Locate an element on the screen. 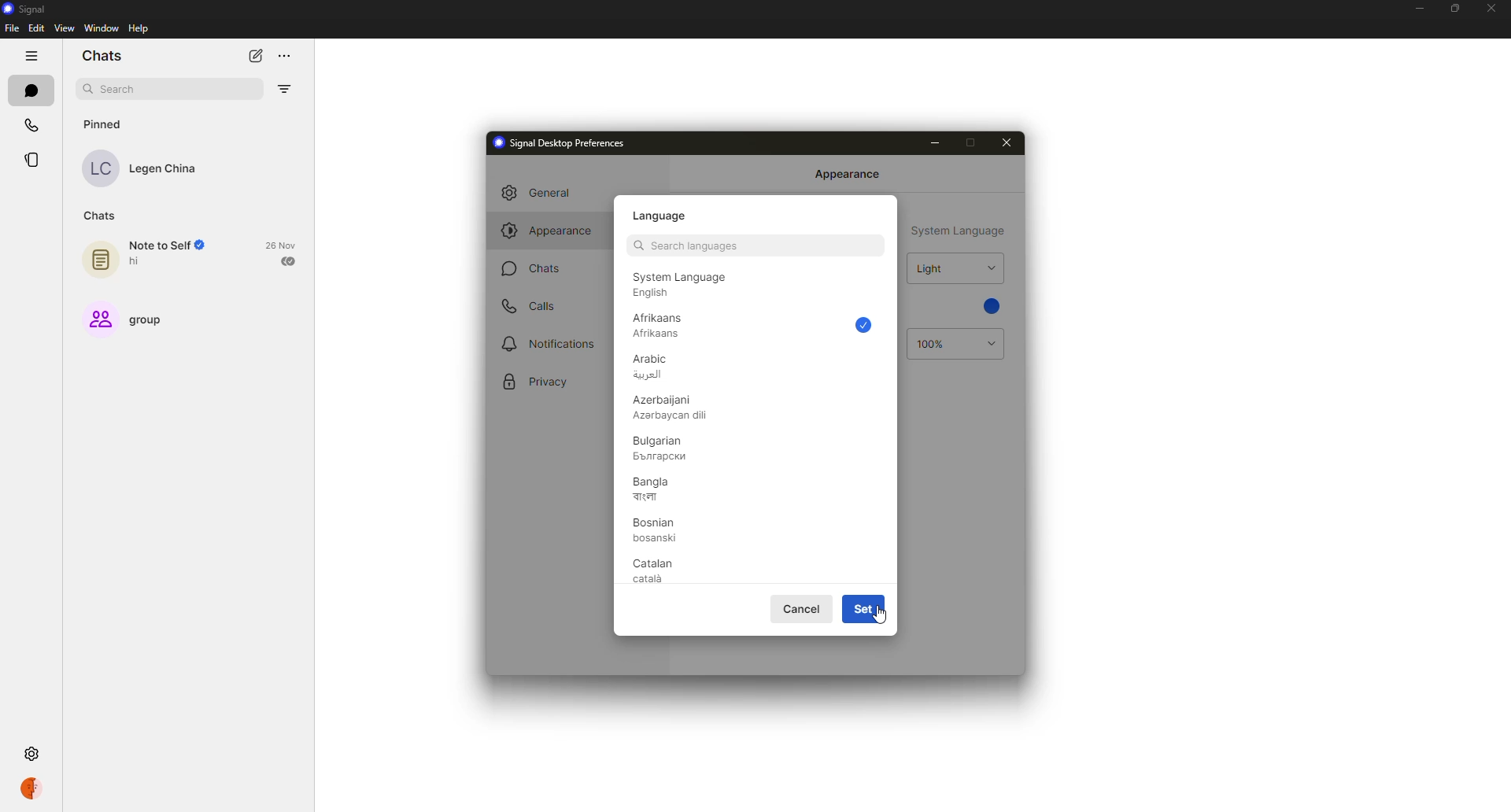  settings is located at coordinates (34, 754).